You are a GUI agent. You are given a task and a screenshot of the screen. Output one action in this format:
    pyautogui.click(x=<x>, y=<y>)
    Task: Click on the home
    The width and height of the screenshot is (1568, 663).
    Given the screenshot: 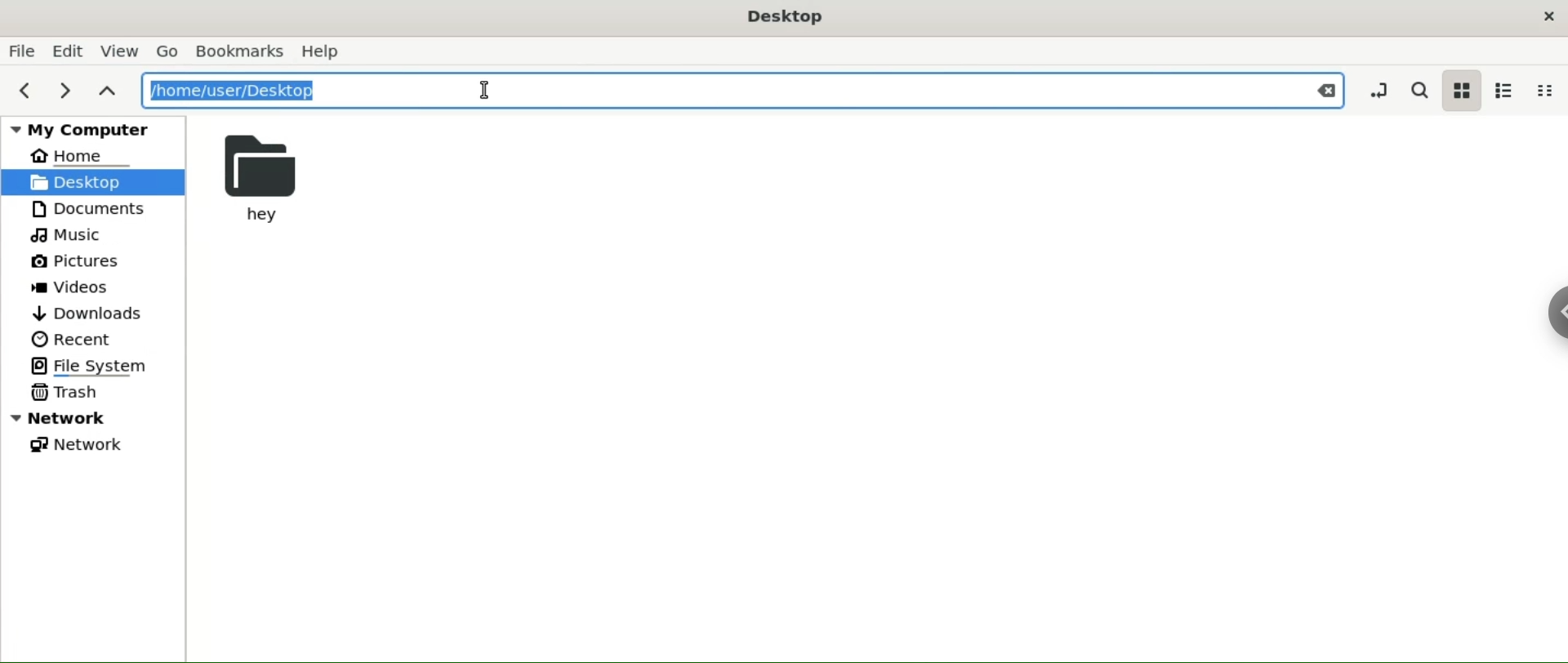 What is the action you would take?
    pyautogui.click(x=80, y=156)
    